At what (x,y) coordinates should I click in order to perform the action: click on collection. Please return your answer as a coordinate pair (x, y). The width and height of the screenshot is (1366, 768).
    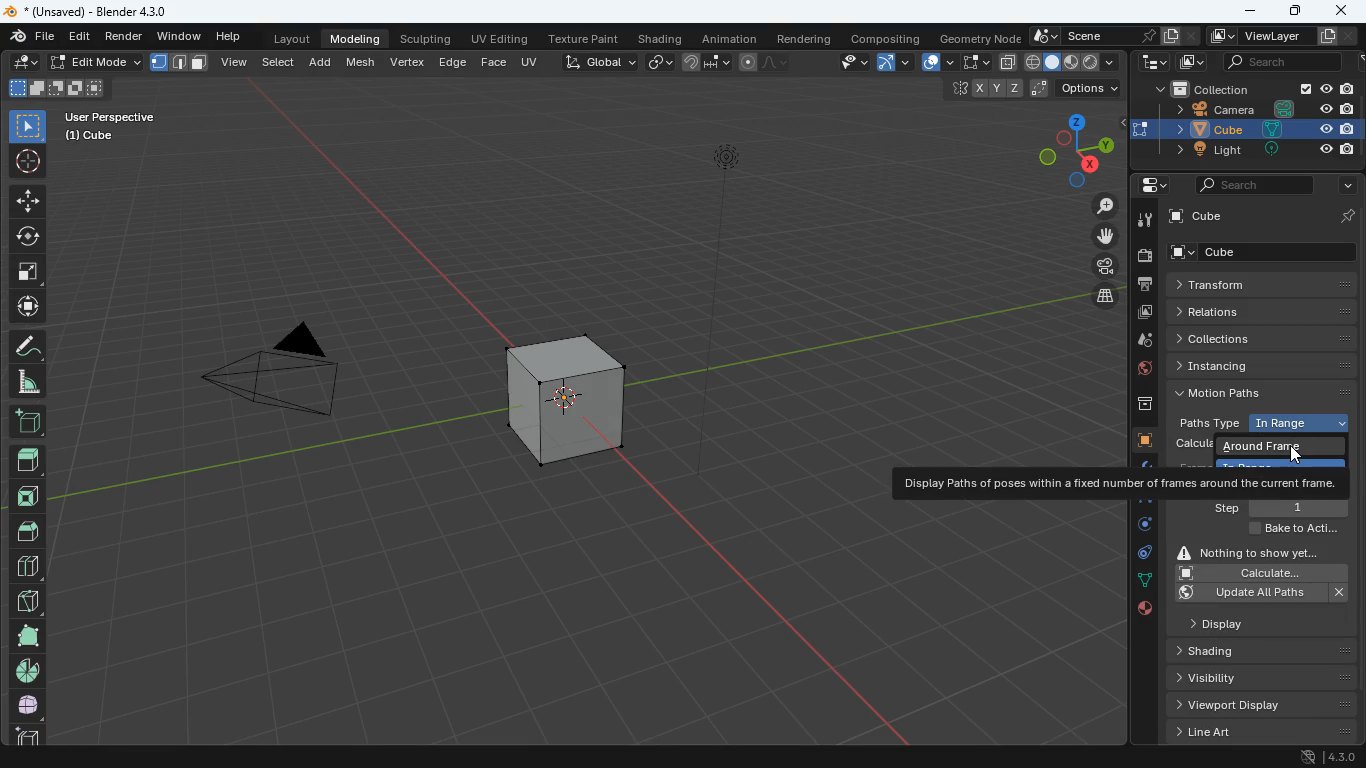
    Looking at the image, I should click on (1252, 90).